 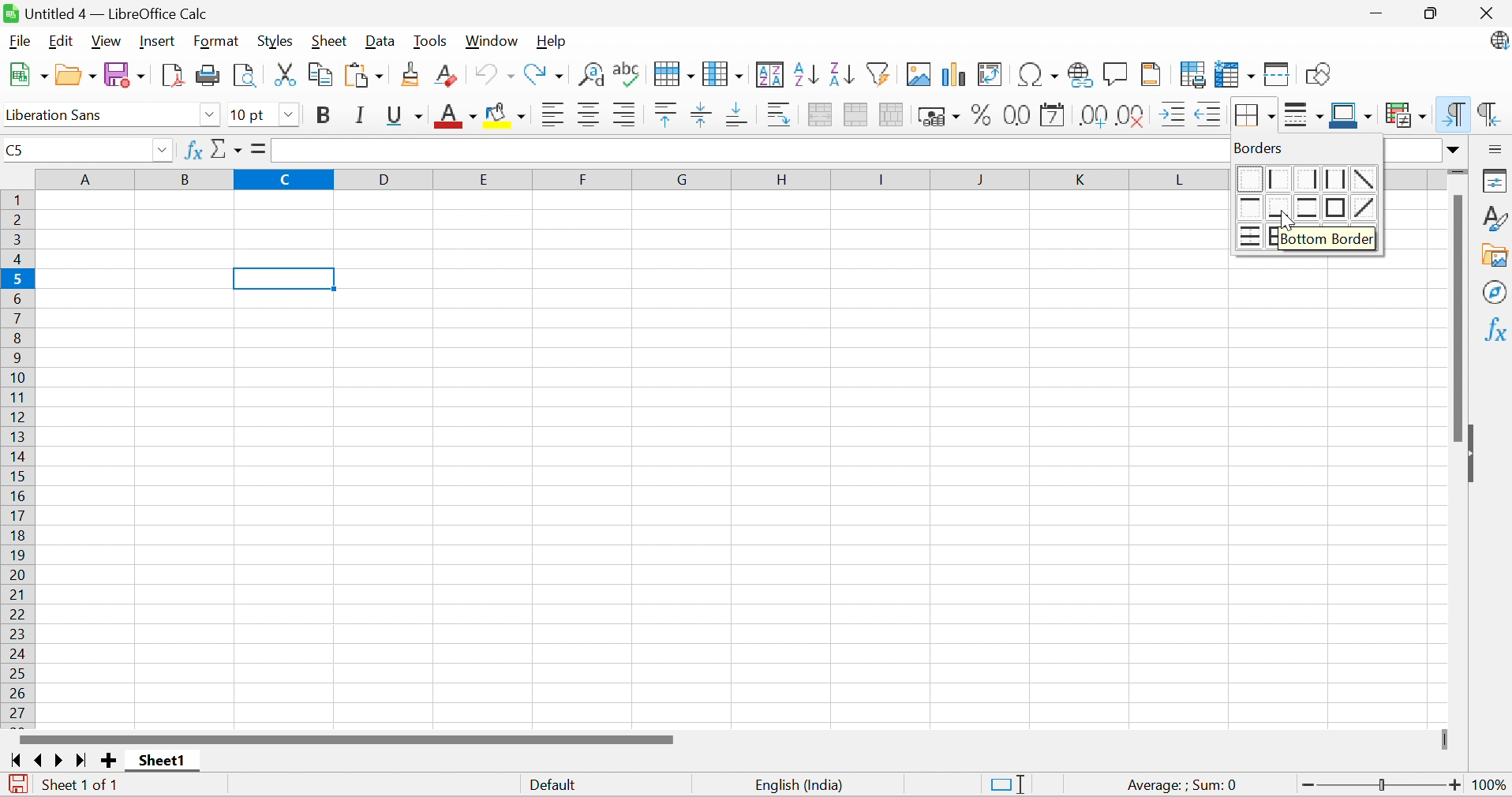 What do you see at coordinates (1173, 114) in the screenshot?
I see `Increase indent` at bounding box center [1173, 114].